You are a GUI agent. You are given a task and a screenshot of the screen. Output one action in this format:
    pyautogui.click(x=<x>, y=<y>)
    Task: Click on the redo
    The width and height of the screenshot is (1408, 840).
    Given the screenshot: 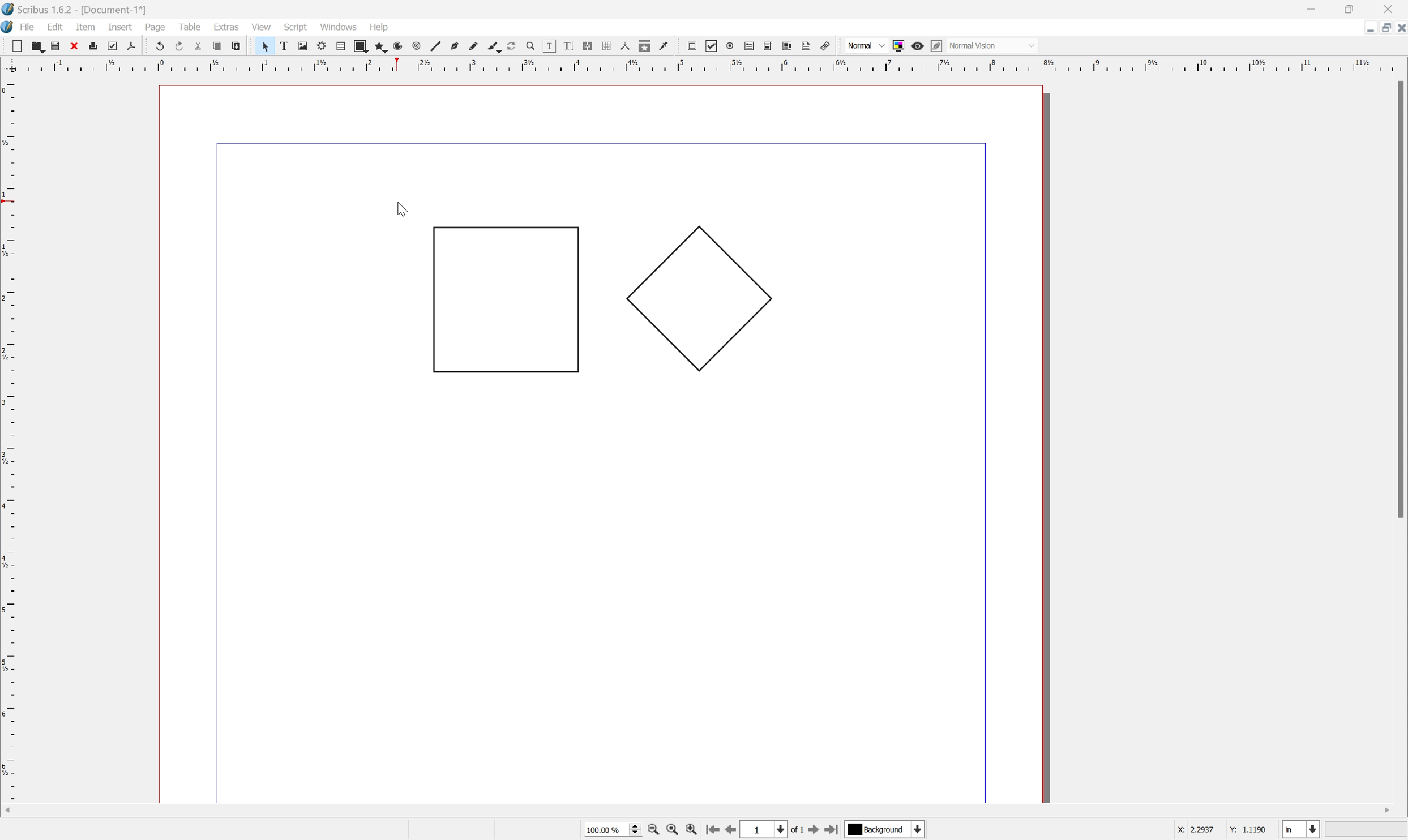 What is the action you would take?
    pyautogui.click(x=177, y=47)
    